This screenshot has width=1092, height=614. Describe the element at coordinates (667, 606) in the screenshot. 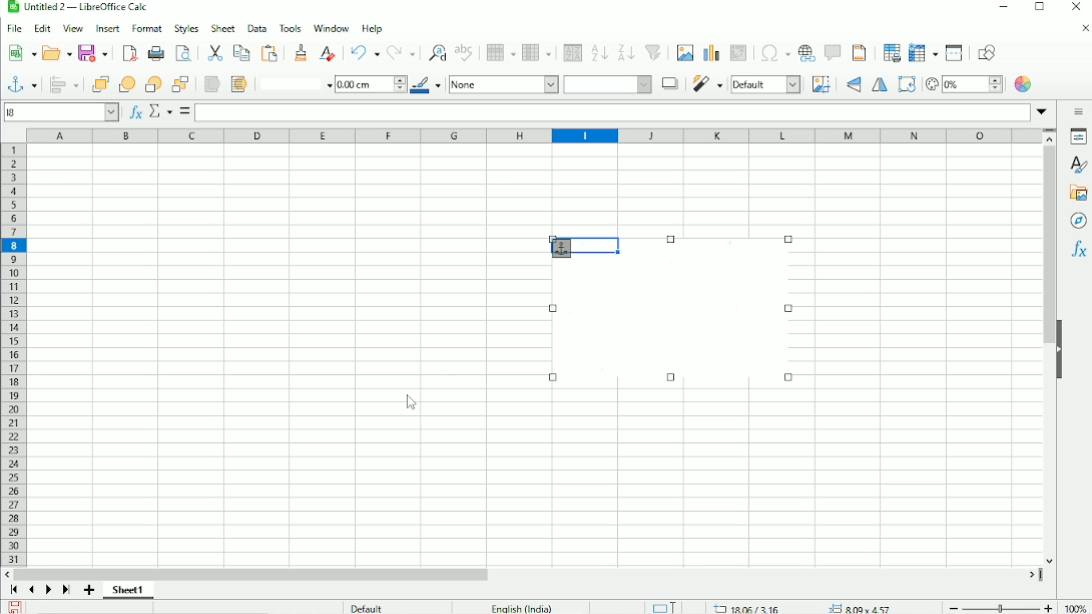

I see `Standard selection` at that location.